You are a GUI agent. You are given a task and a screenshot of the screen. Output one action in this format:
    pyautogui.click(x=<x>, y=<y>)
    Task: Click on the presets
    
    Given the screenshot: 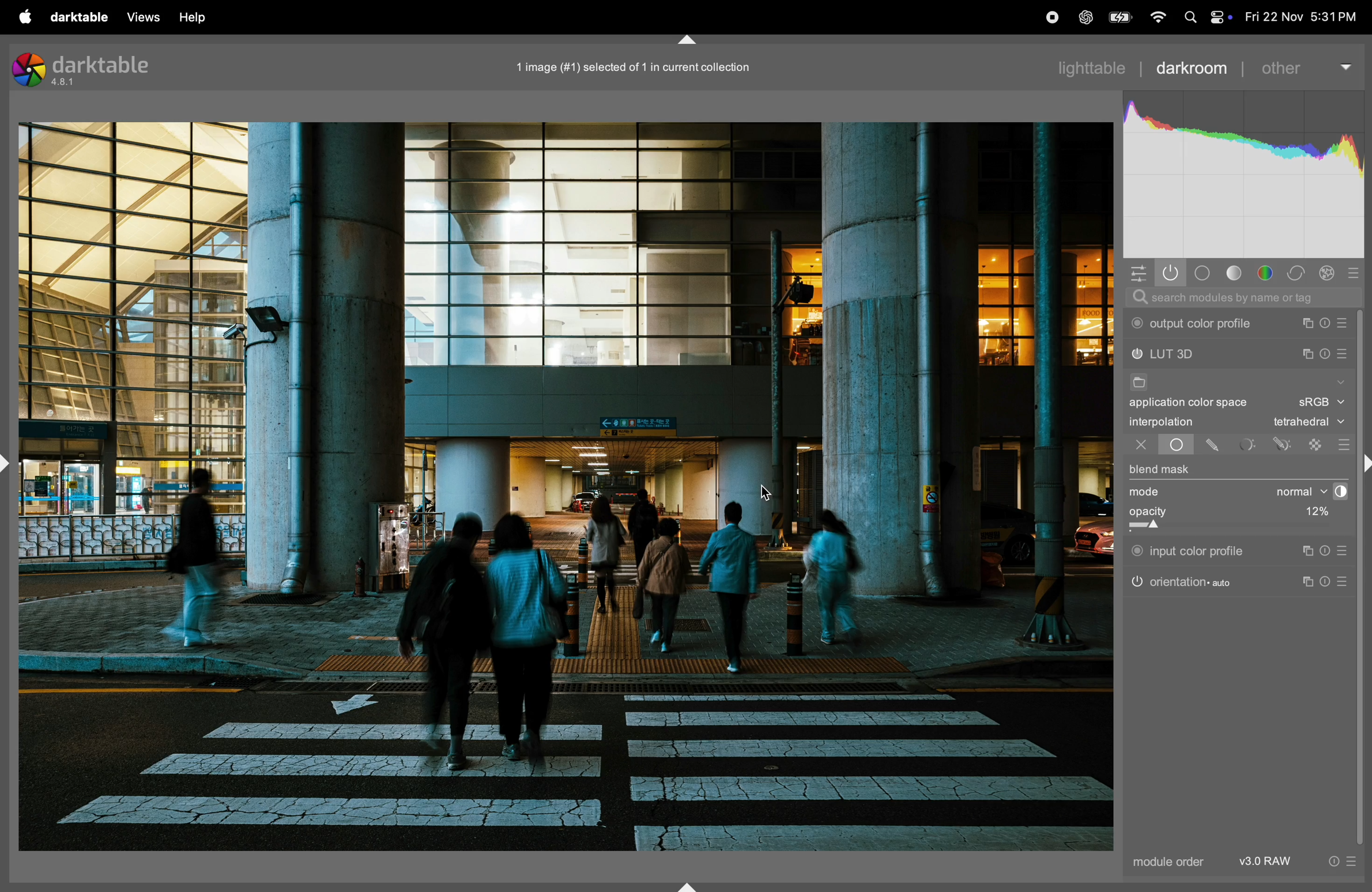 What is the action you would take?
    pyautogui.click(x=1343, y=444)
    